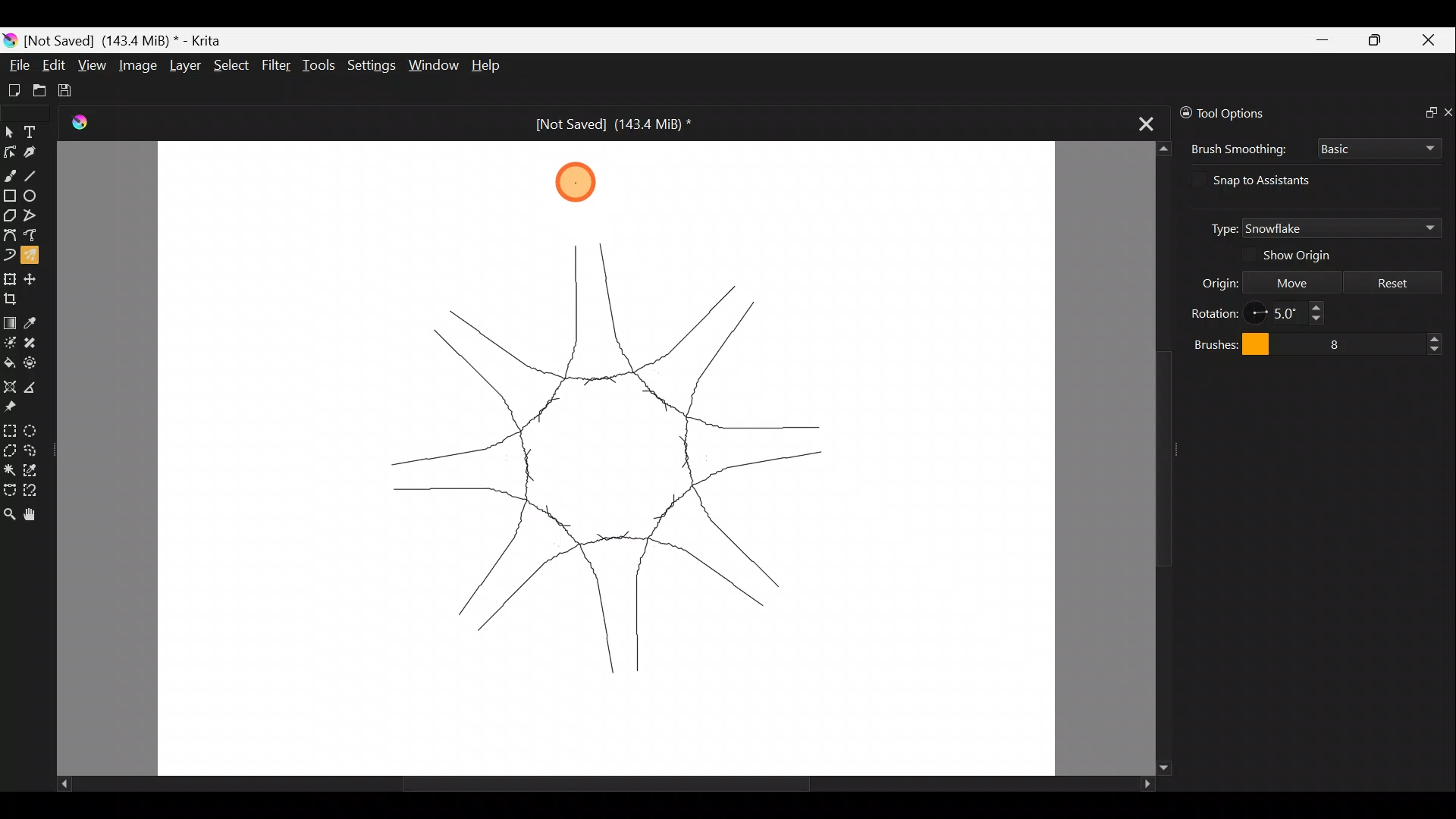 Image resolution: width=1456 pixels, height=819 pixels. Describe the element at coordinates (11, 387) in the screenshot. I see `Assistant tool` at that location.